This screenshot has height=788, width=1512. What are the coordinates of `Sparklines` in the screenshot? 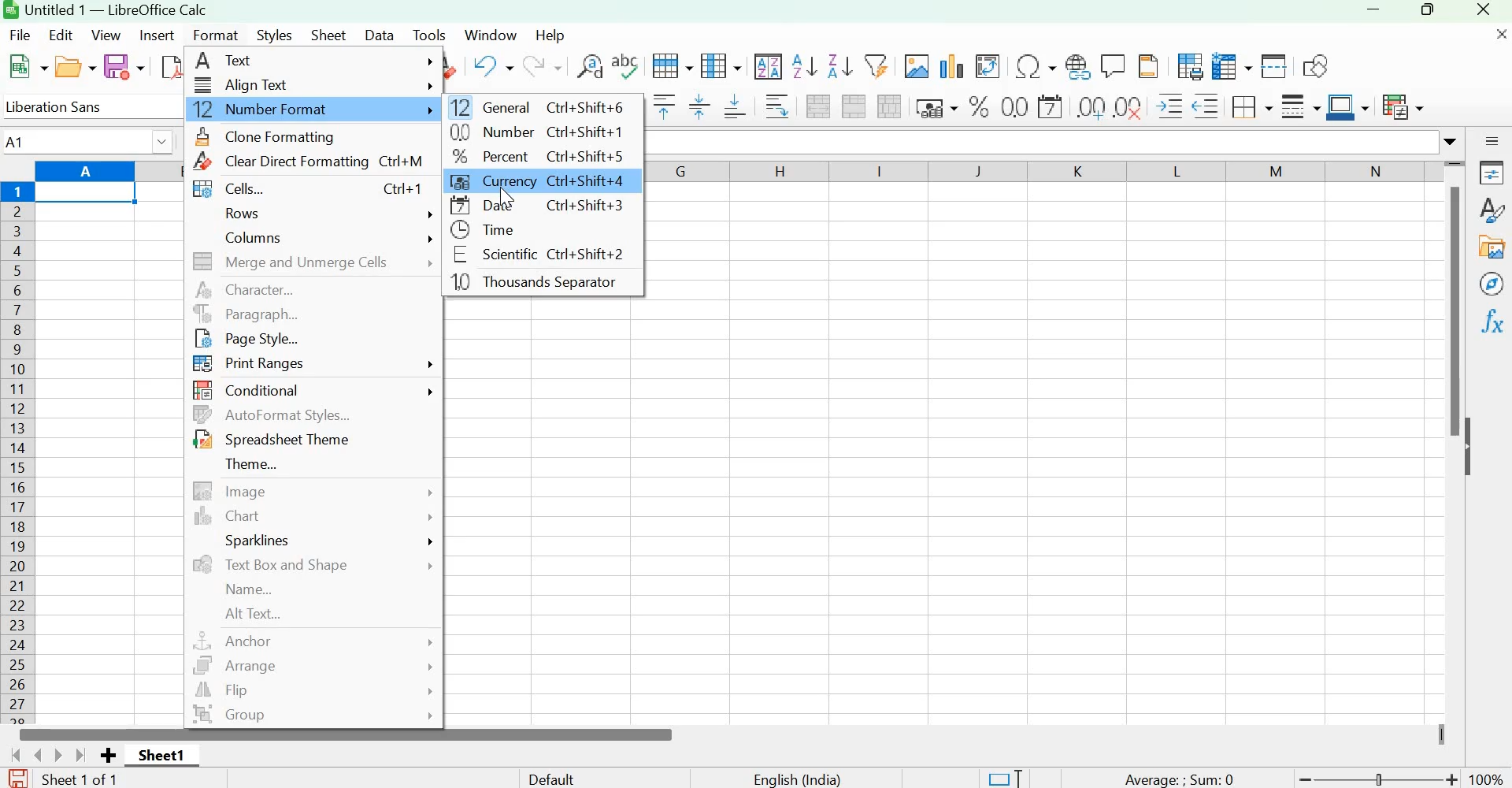 It's located at (324, 539).